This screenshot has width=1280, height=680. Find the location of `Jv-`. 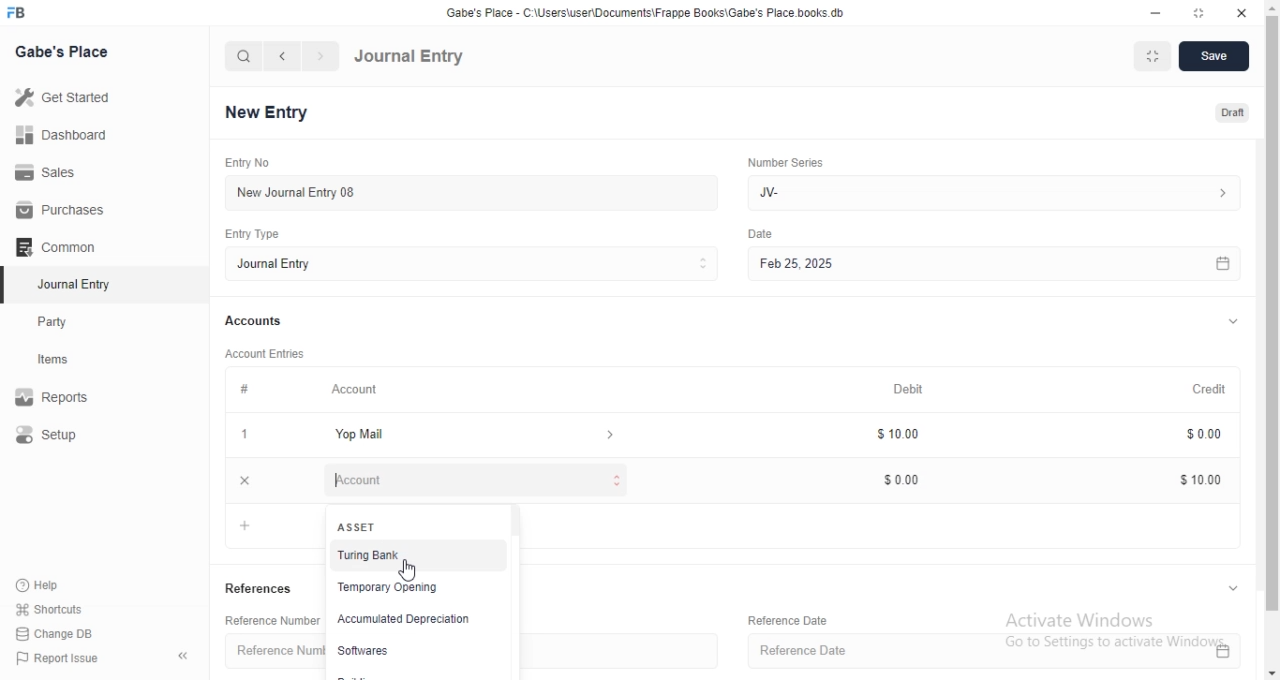

Jv- is located at coordinates (990, 190).